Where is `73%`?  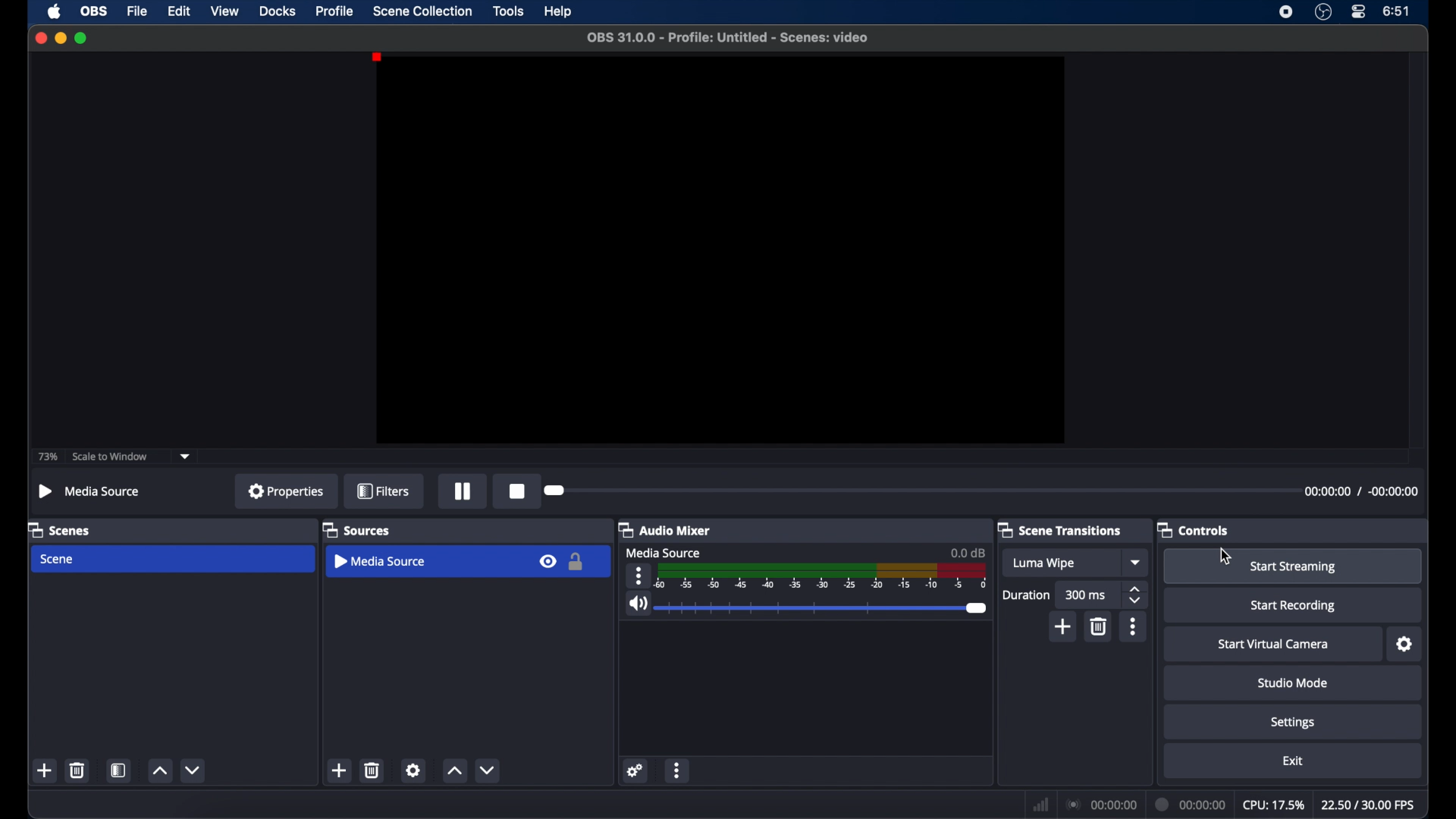
73% is located at coordinates (46, 457).